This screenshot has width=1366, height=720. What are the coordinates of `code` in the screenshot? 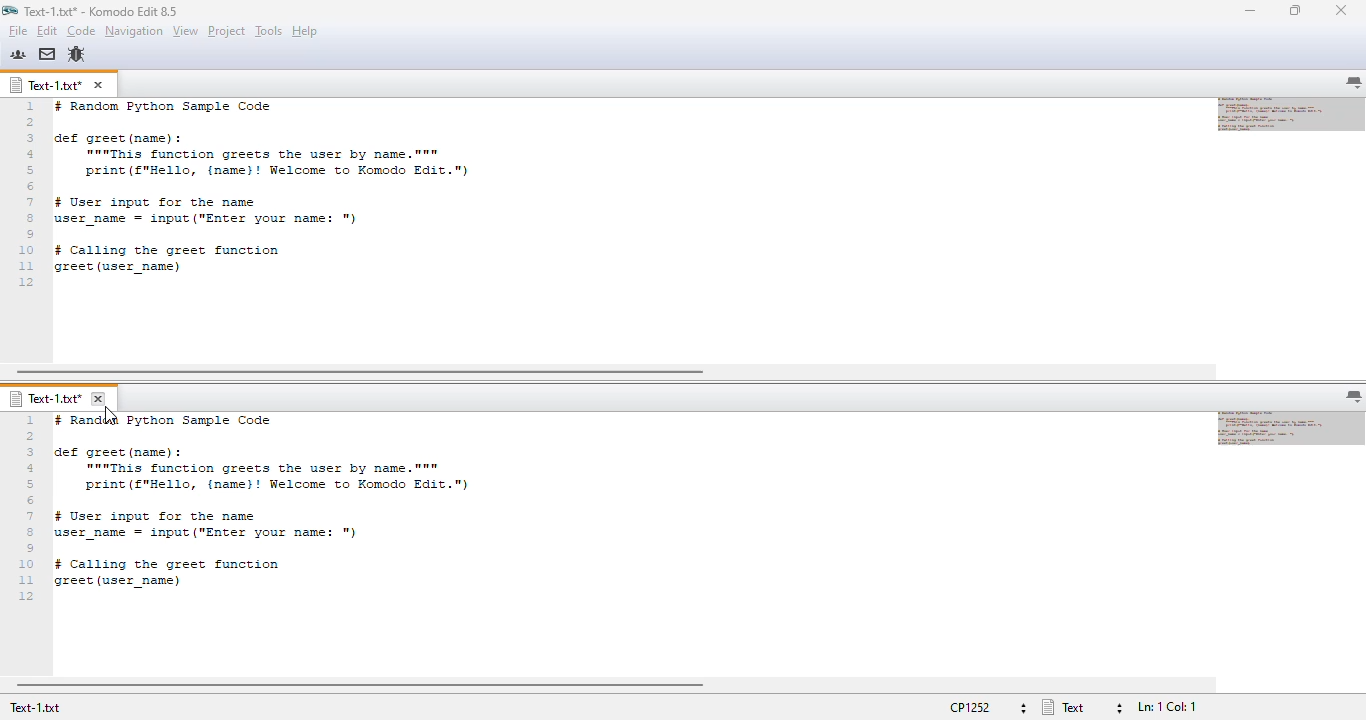 It's located at (82, 31).